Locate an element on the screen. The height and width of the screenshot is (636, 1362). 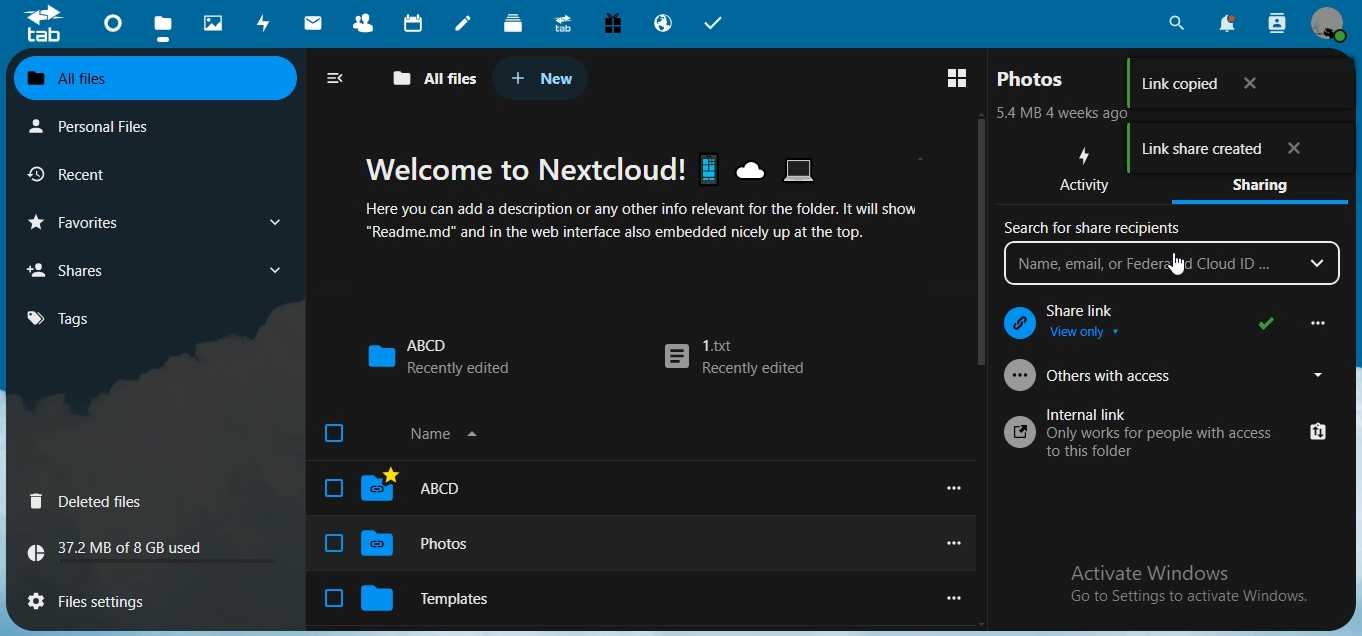
check box is located at coordinates (333, 435).